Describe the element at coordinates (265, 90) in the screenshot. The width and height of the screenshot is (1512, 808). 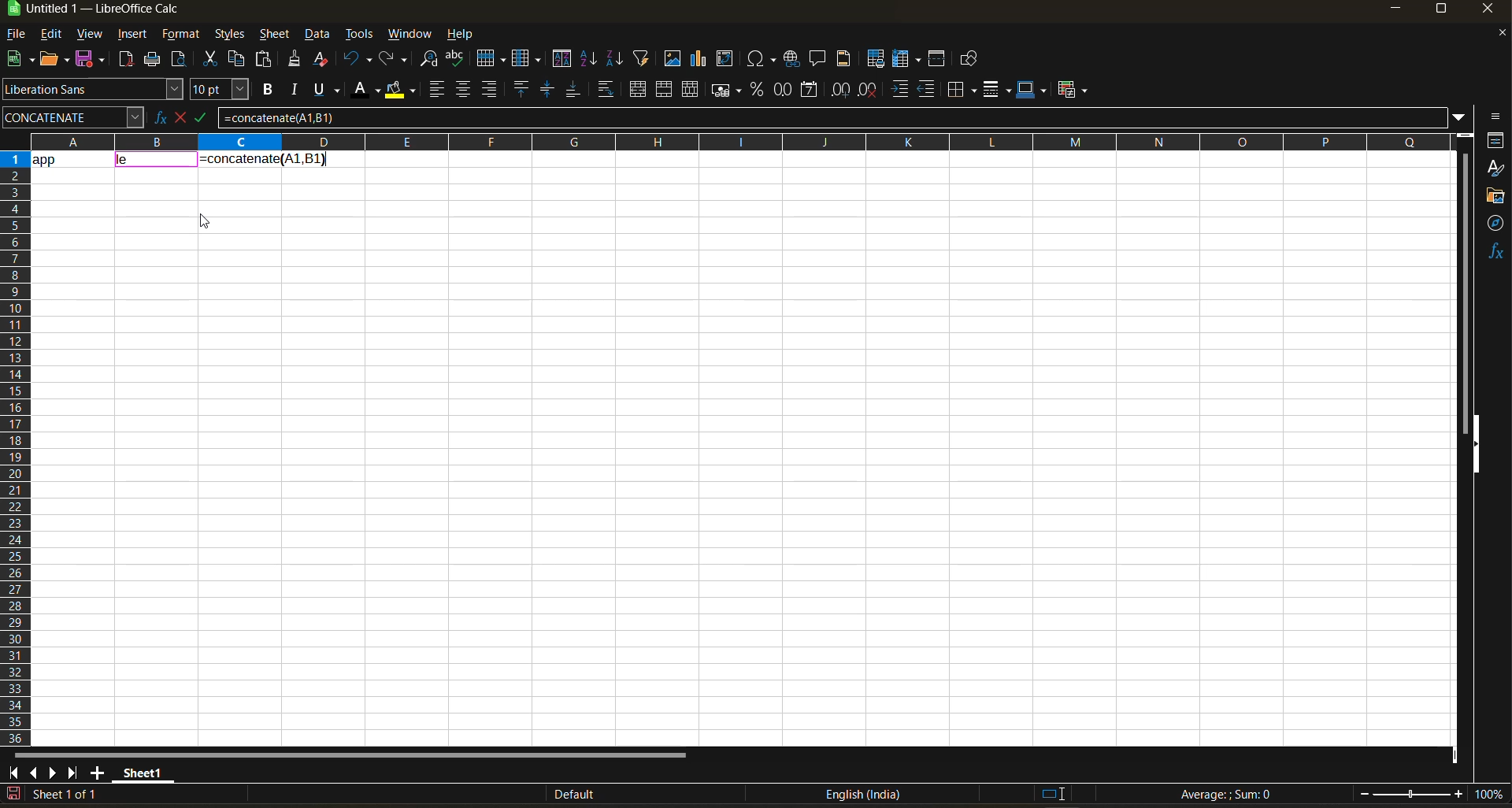
I see `bold` at that location.